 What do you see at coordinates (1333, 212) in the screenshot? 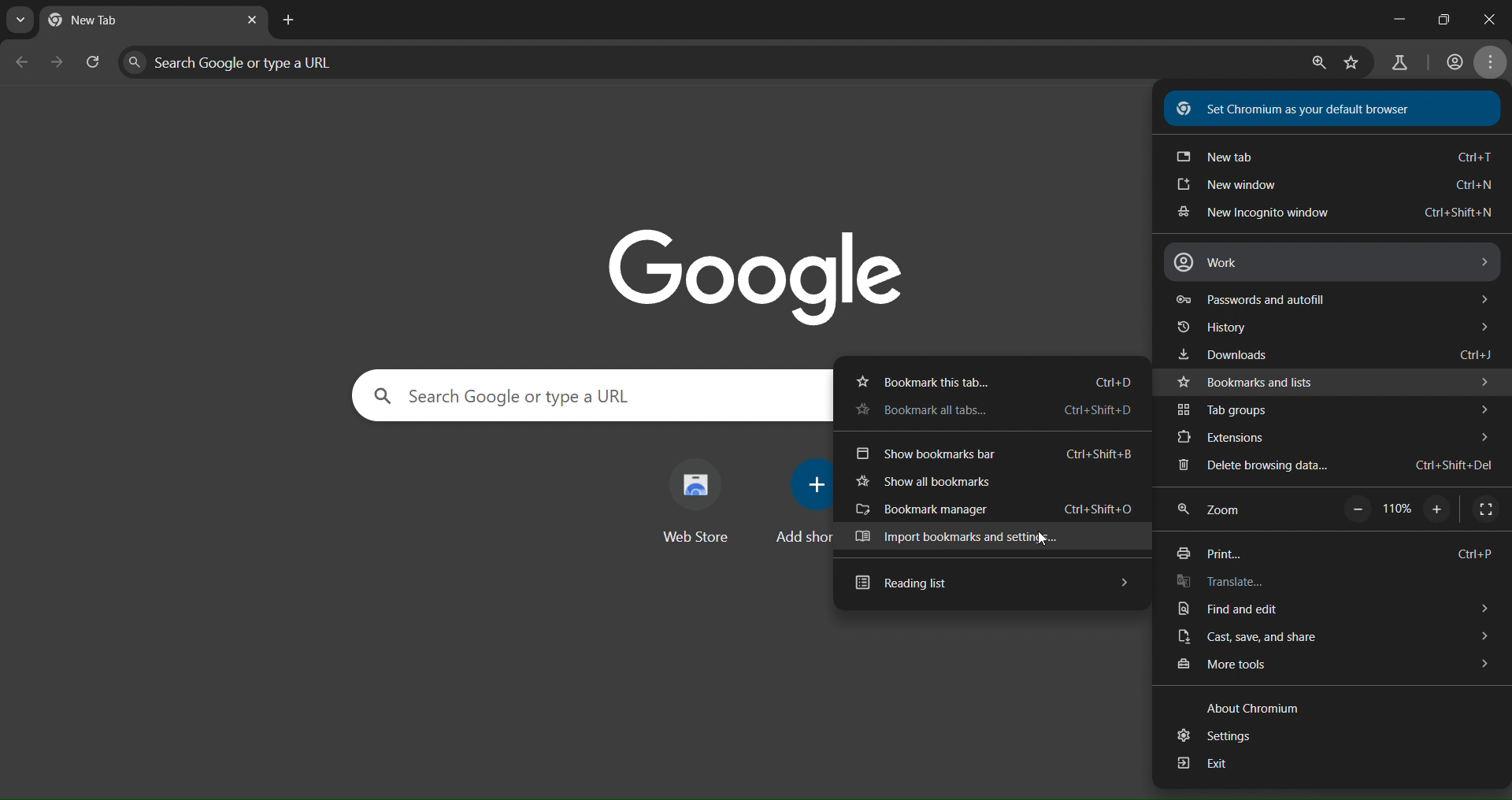
I see `new incognito window` at bounding box center [1333, 212].